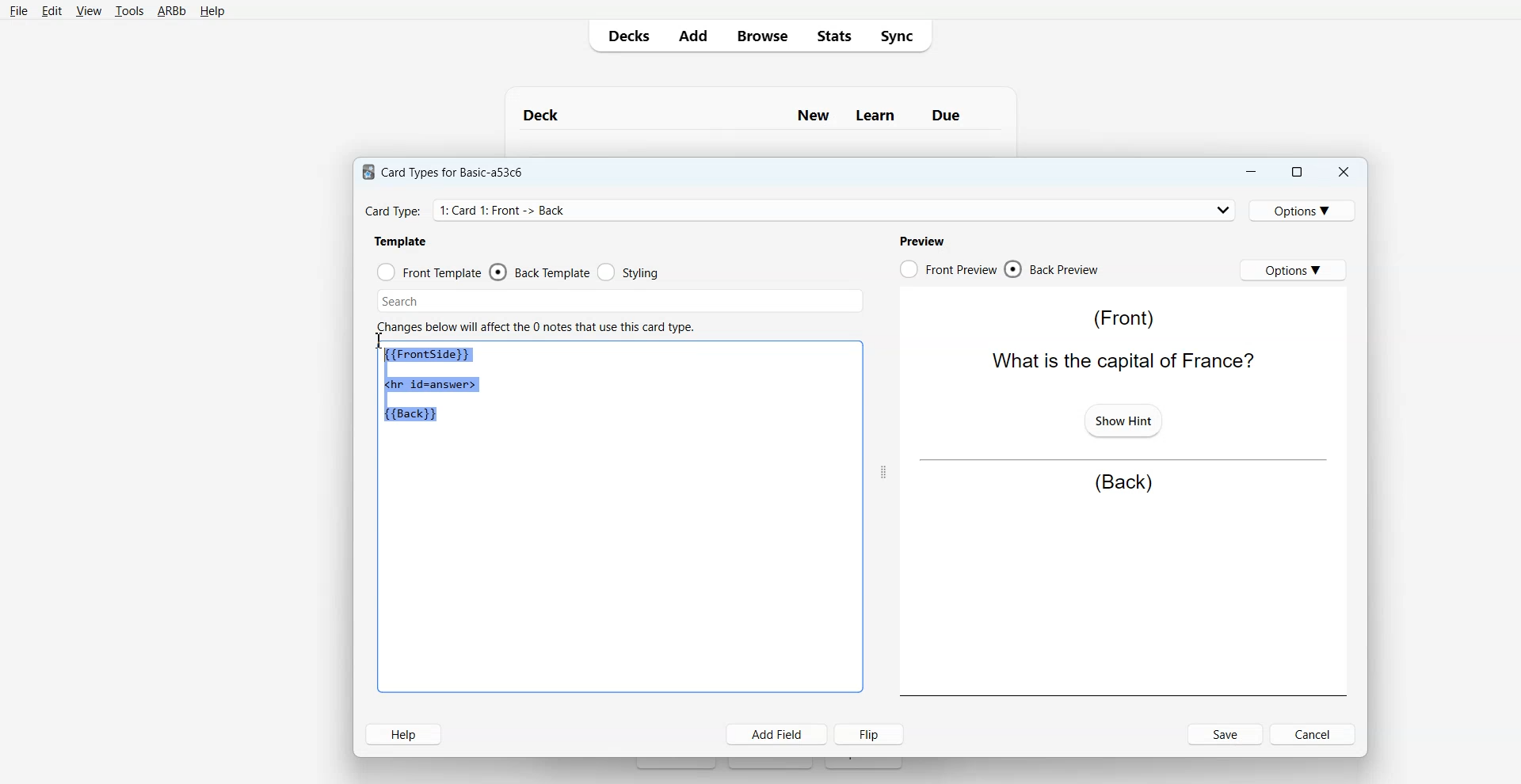 The image size is (1521, 784). I want to click on Styling, so click(630, 272).